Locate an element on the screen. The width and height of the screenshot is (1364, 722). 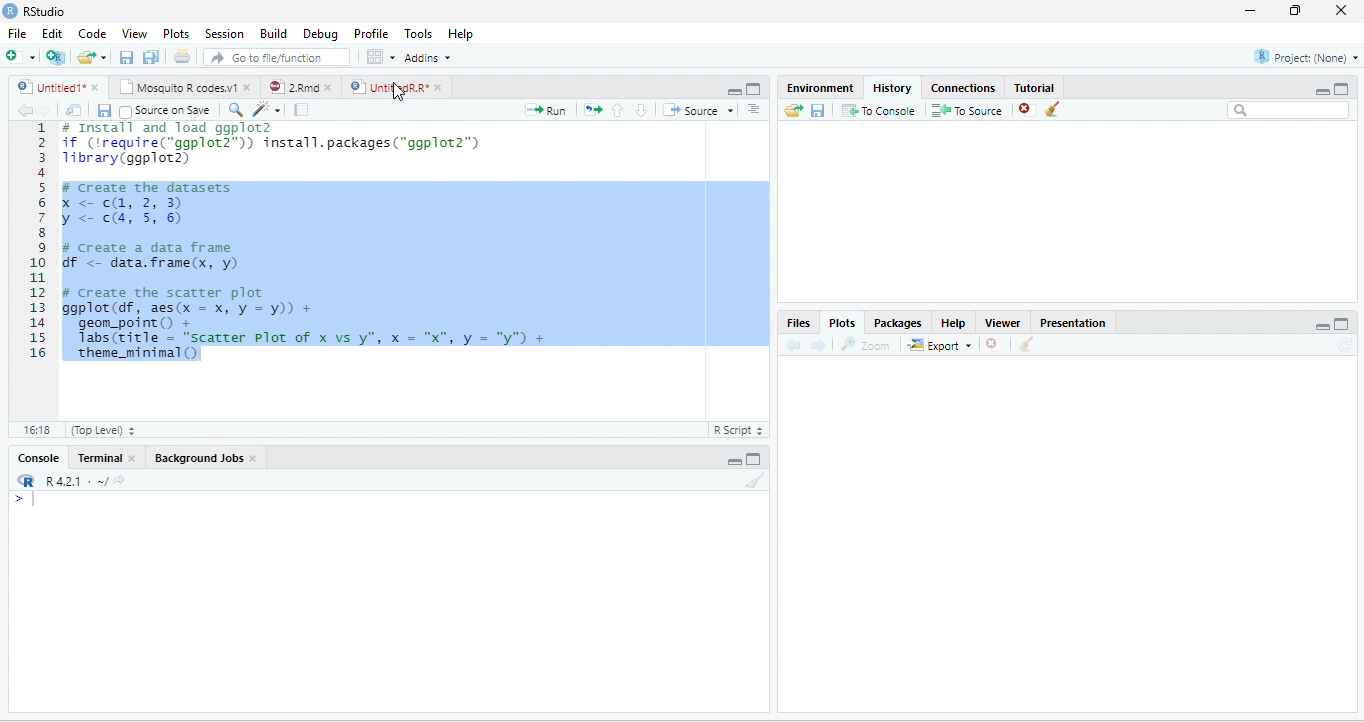
Save current document is located at coordinates (104, 111).